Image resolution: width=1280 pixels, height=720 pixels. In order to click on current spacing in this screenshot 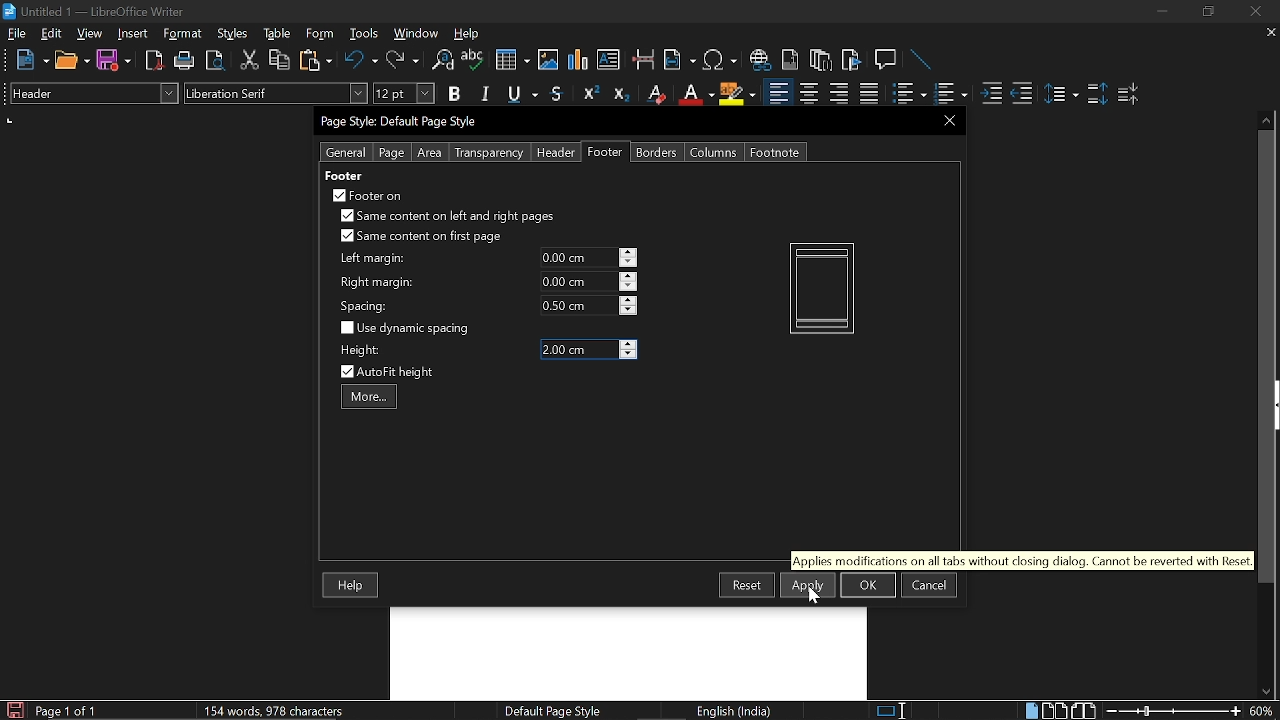, I will do `click(578, 305)`.